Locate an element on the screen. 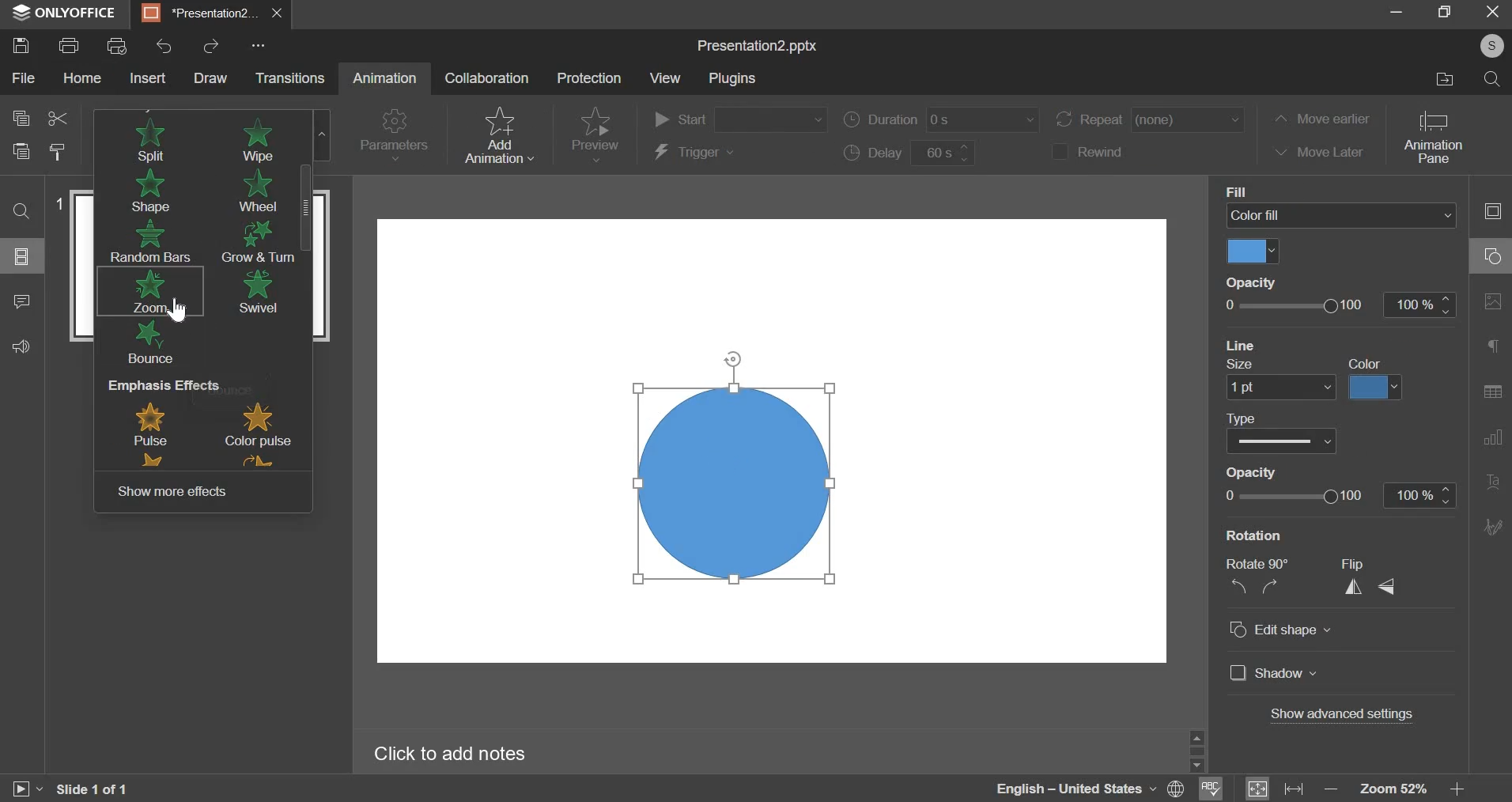 The image size is (1512, 802). Insert is located at coordinates (148, 78).